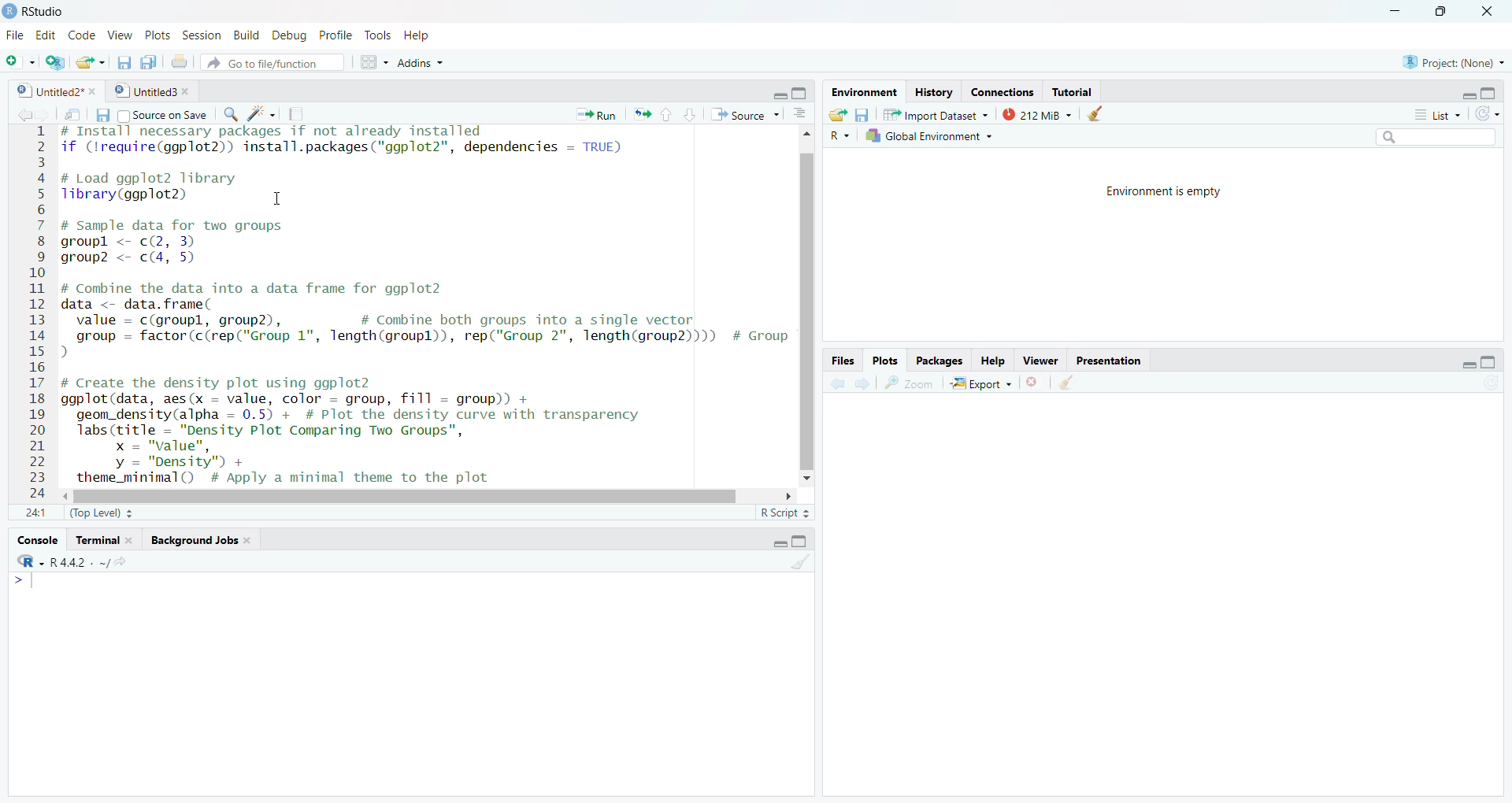  What do you see at coordinates (935, 361) in the screenshot?
I see `packages` at bounding box center [935, 361].